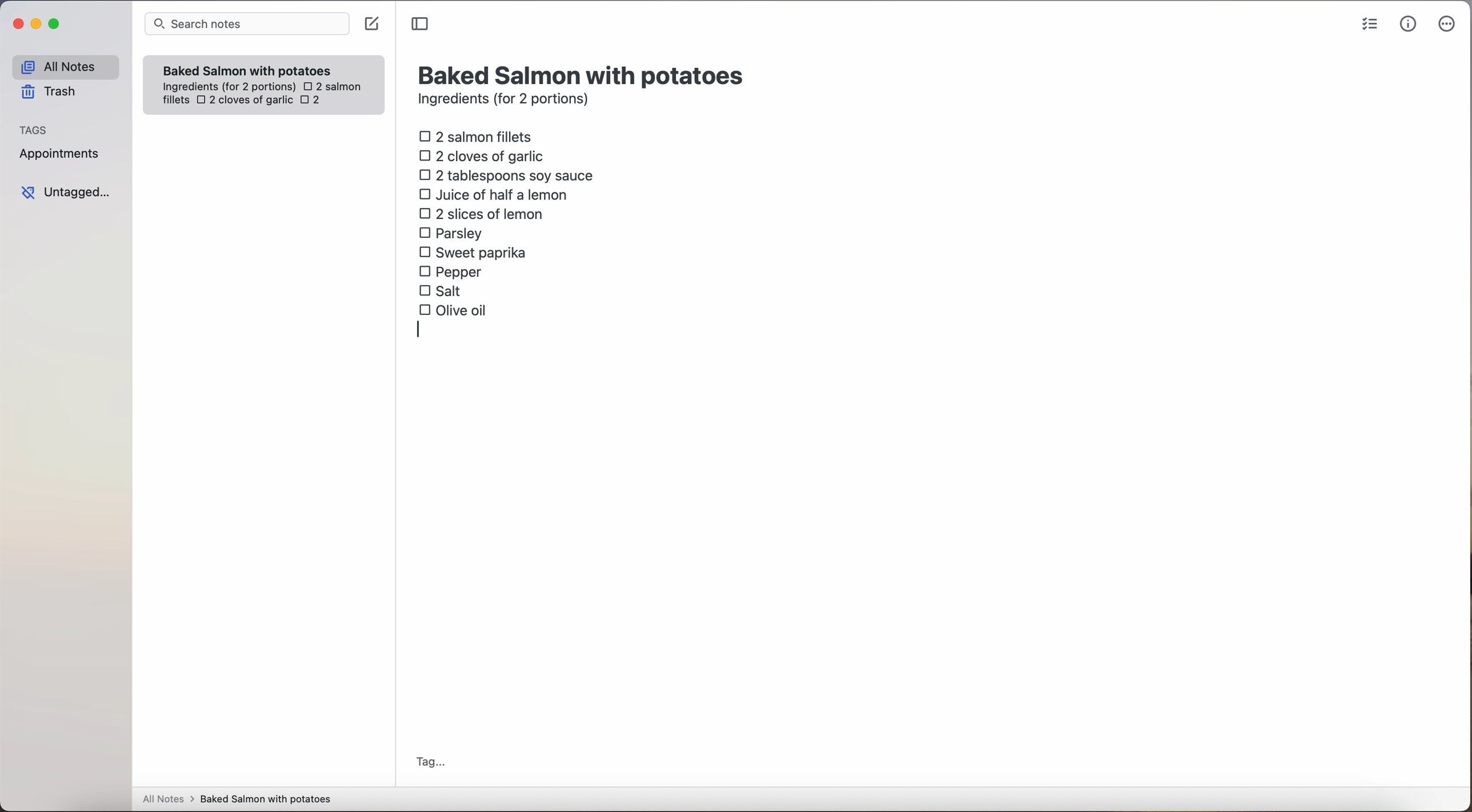 This screenshot has height=812, width=1472. What do you see at coordinates (245, 101) in the screenshot?
I see `2 cloves of garlic` at bounding box center [245, 101].